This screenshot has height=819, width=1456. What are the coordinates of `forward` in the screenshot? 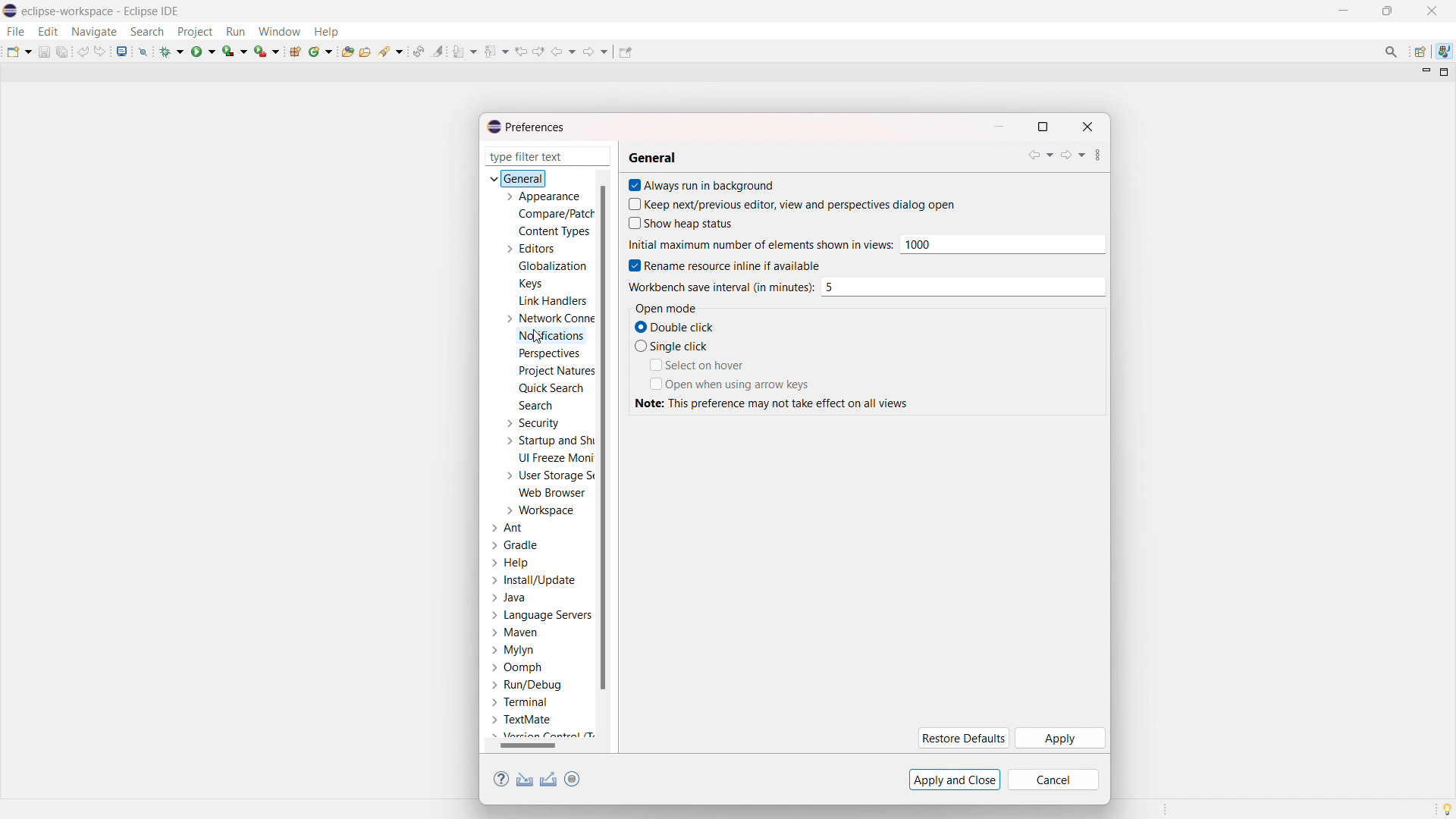 It's located at (1072, 155).